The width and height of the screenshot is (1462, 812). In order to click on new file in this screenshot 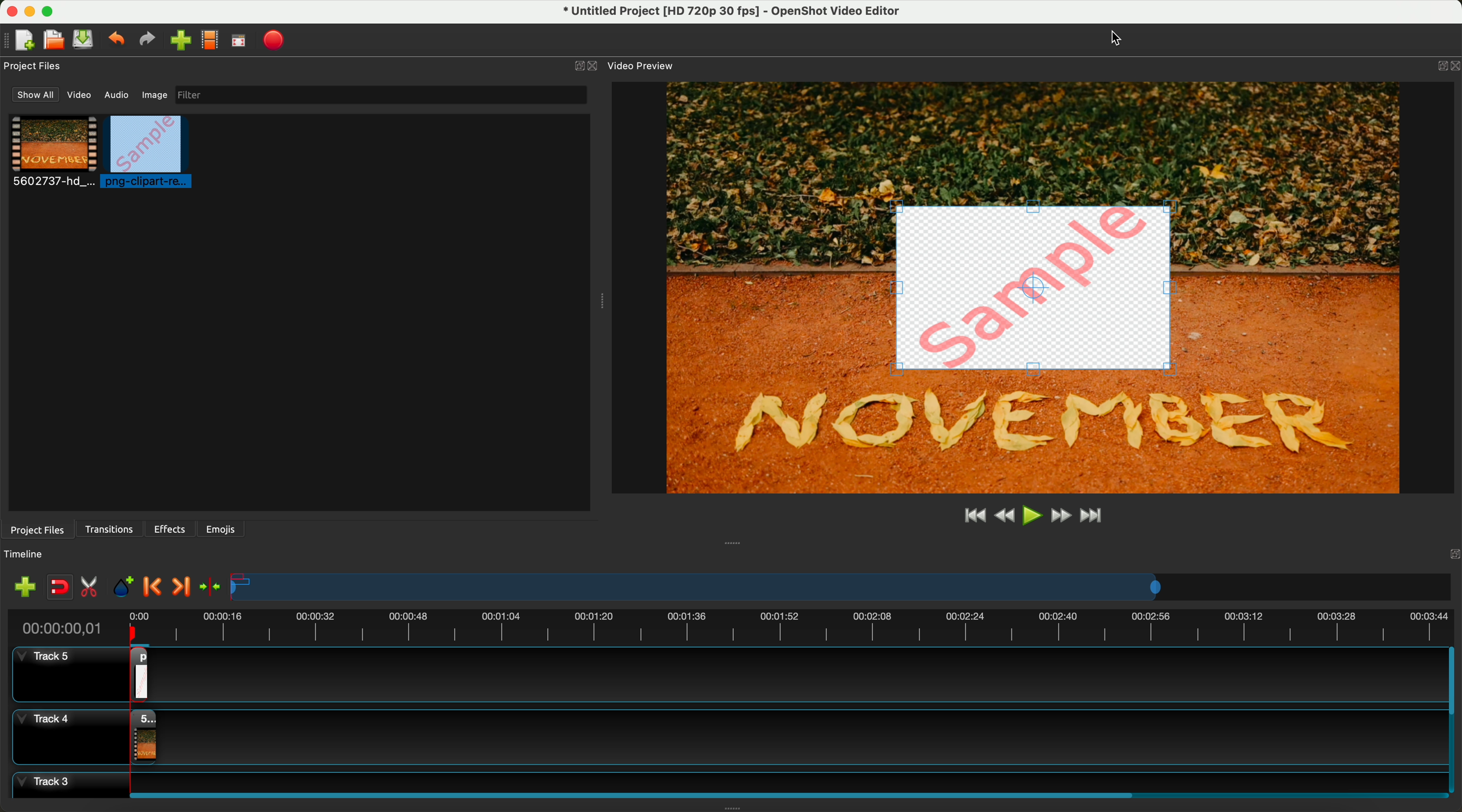, I will do `click(21, 40)`.